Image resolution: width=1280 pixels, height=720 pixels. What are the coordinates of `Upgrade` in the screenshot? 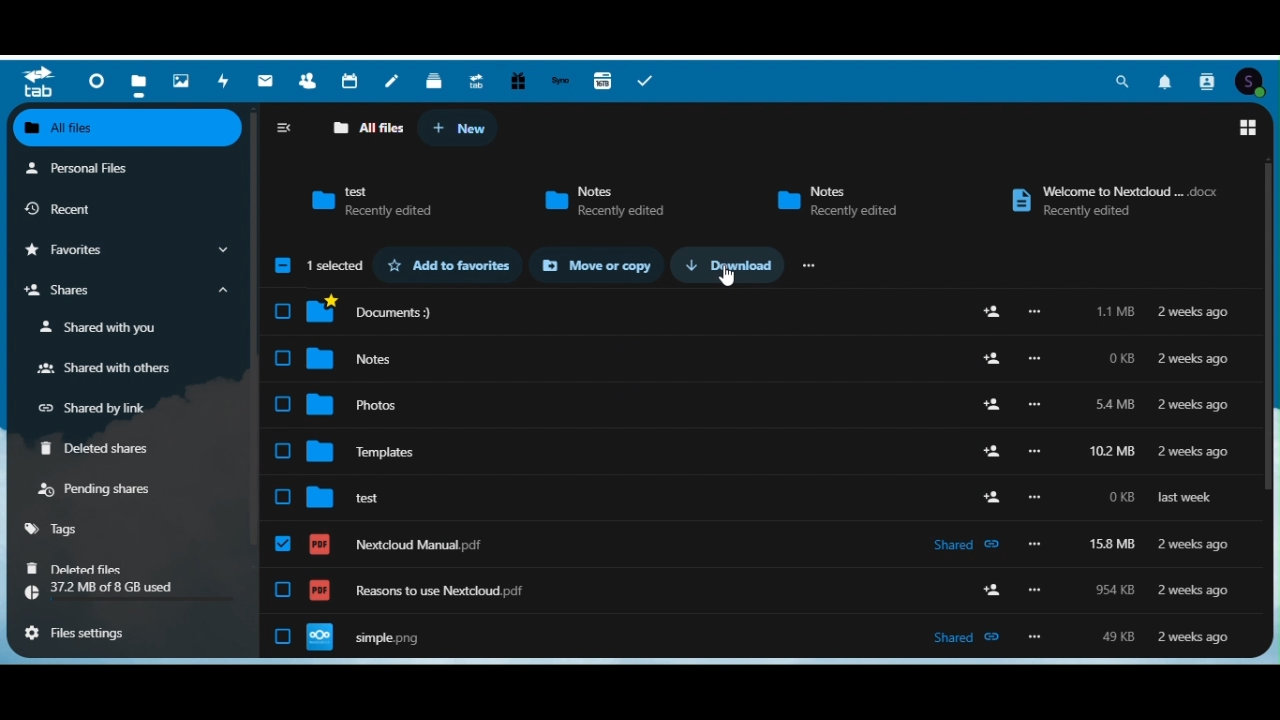 It's located at (474, 79).